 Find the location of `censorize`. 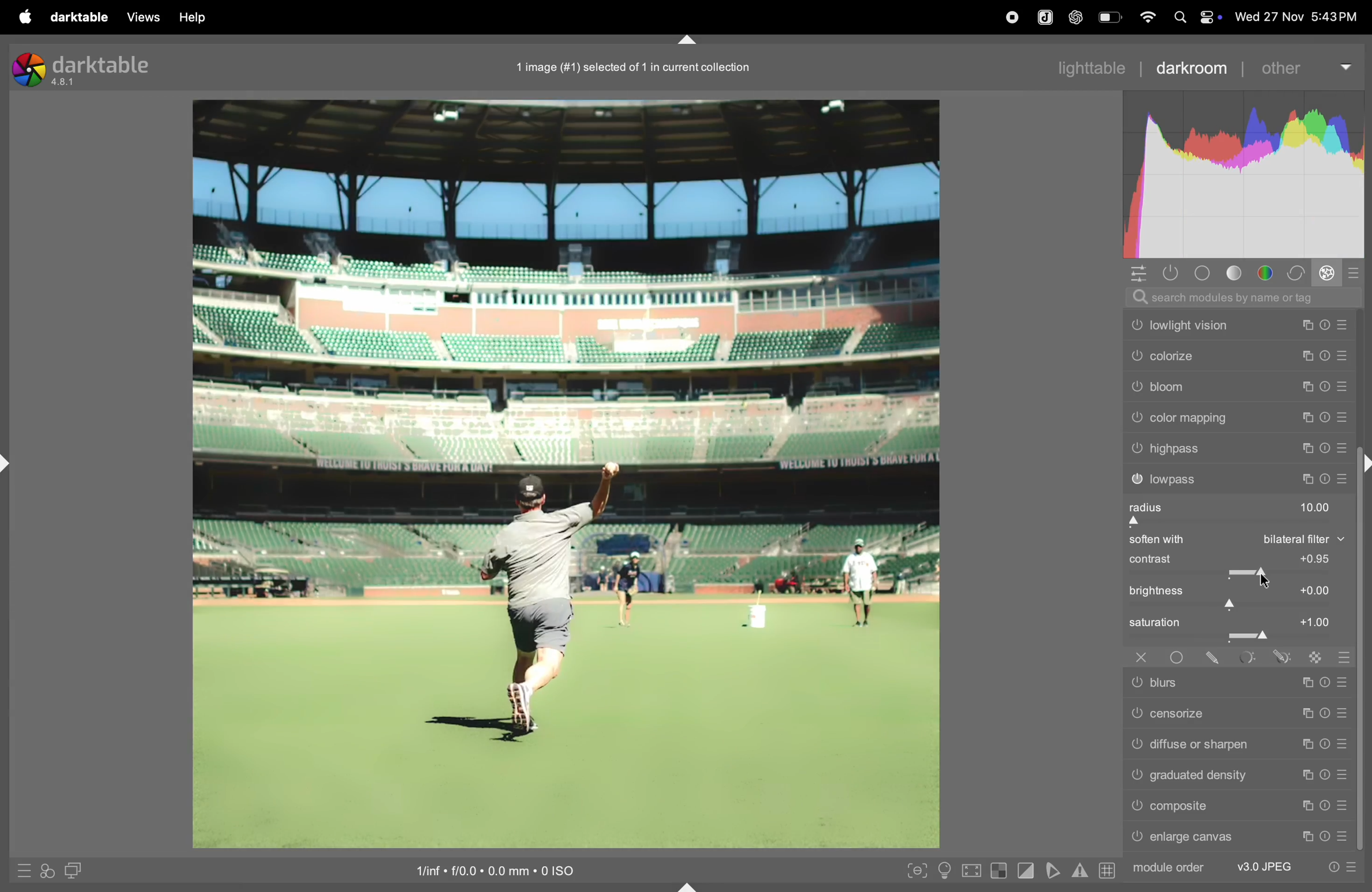

censorize is located at coordinates (1239, 712).